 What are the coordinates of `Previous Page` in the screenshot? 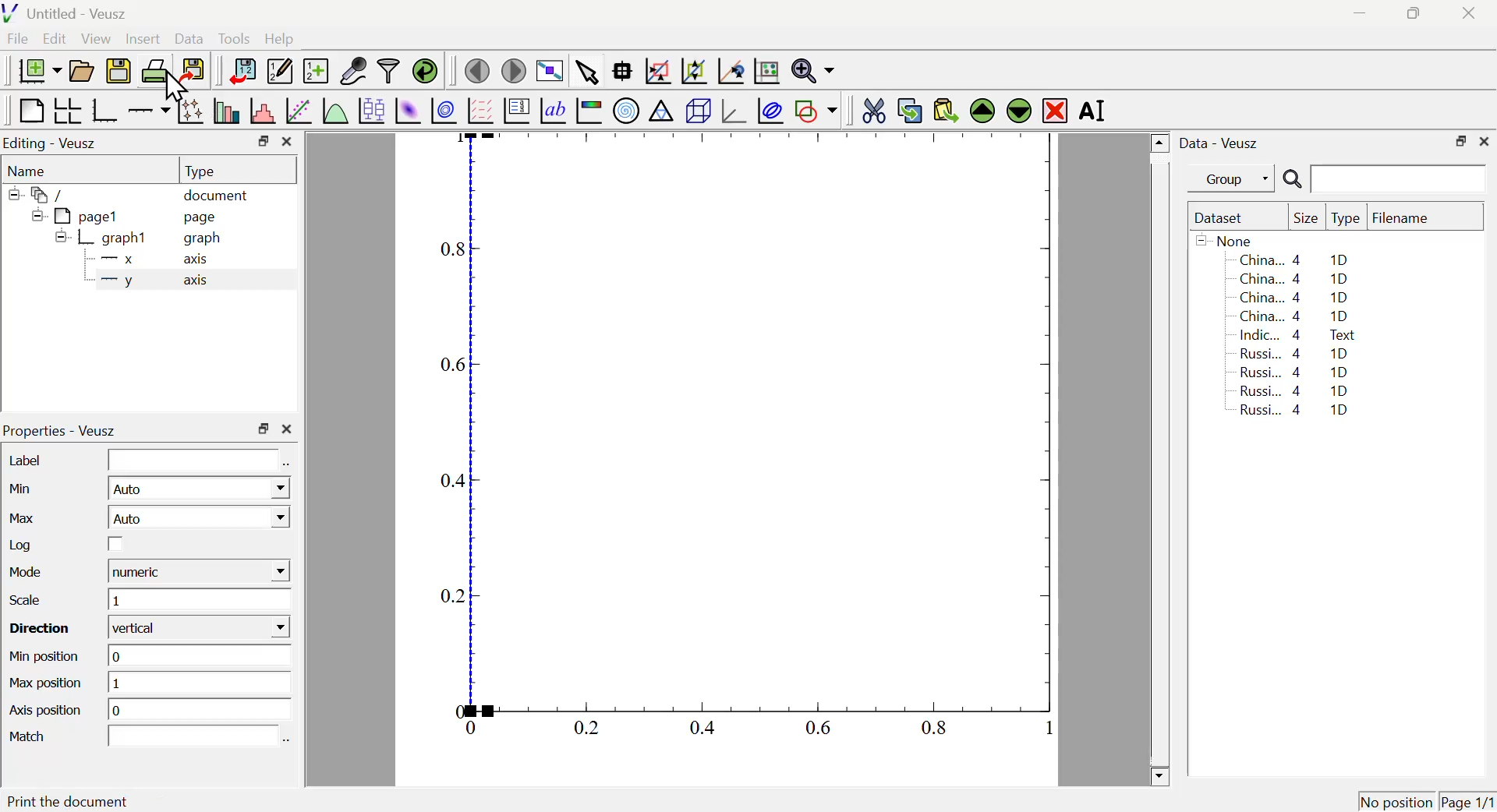 It's located at (478, 72).